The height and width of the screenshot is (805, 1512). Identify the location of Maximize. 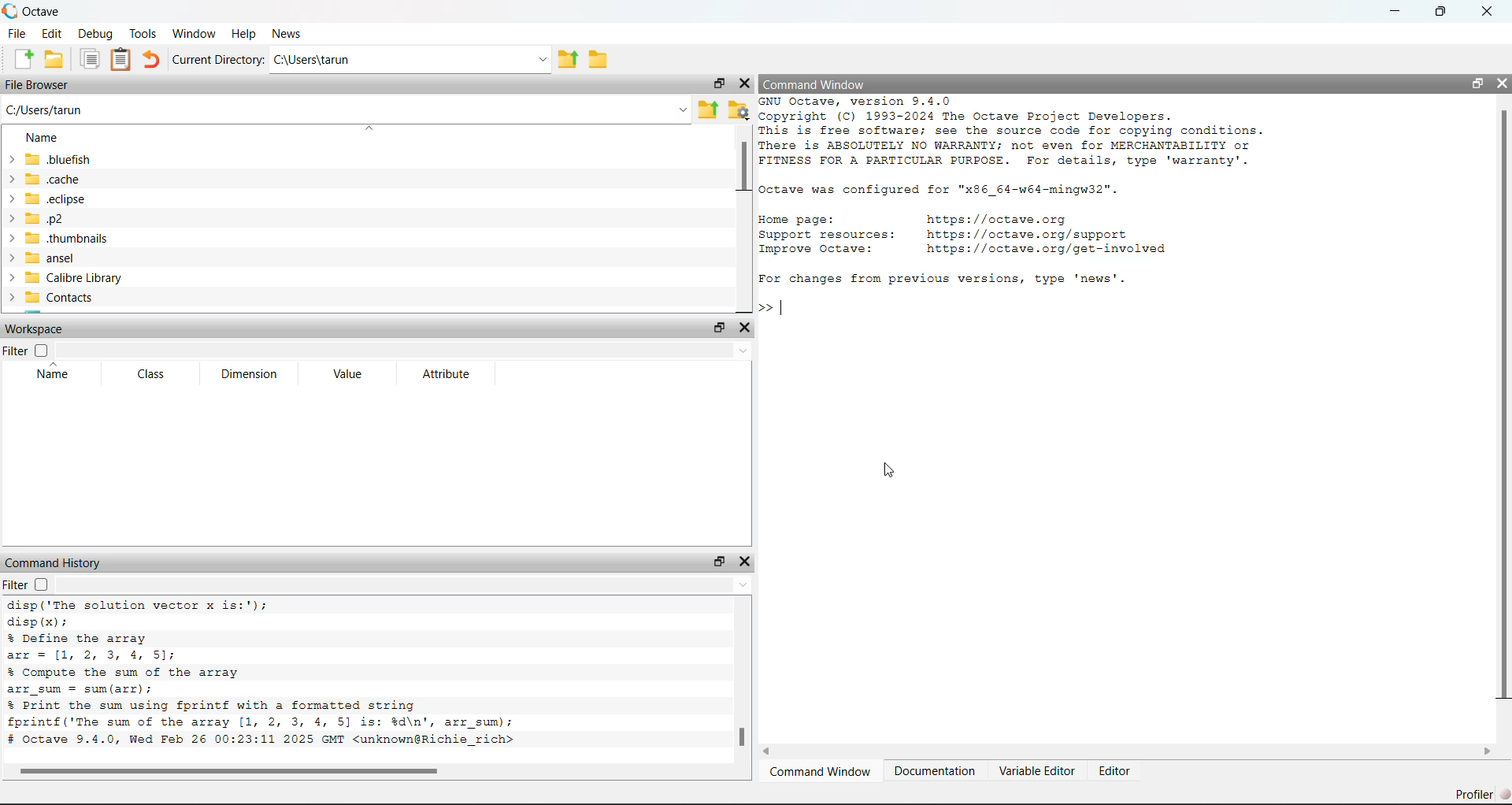
(718, 561).